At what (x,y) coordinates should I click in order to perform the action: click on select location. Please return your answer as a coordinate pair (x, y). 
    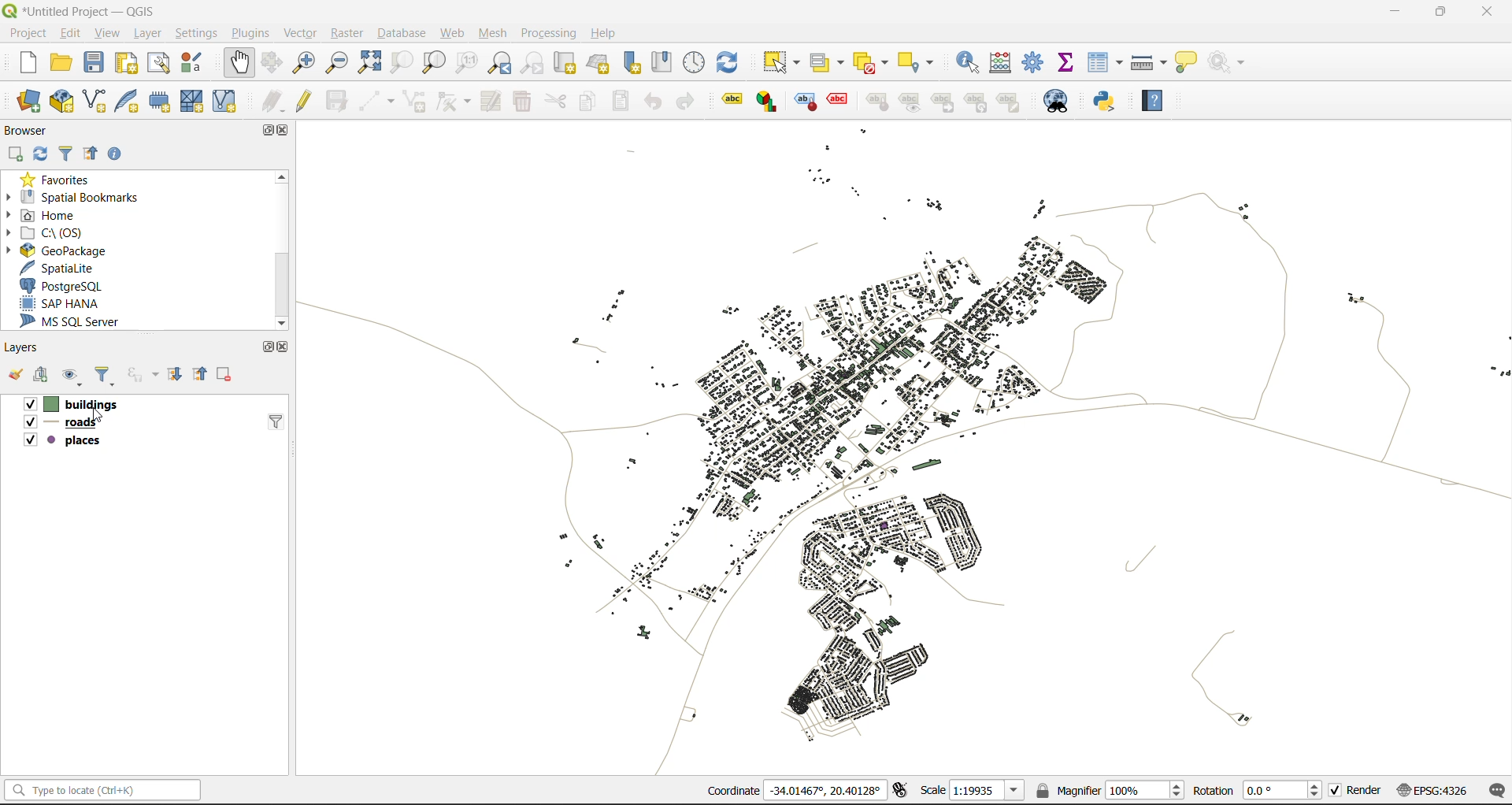
    Looking at the image, I should click on (920, 62).